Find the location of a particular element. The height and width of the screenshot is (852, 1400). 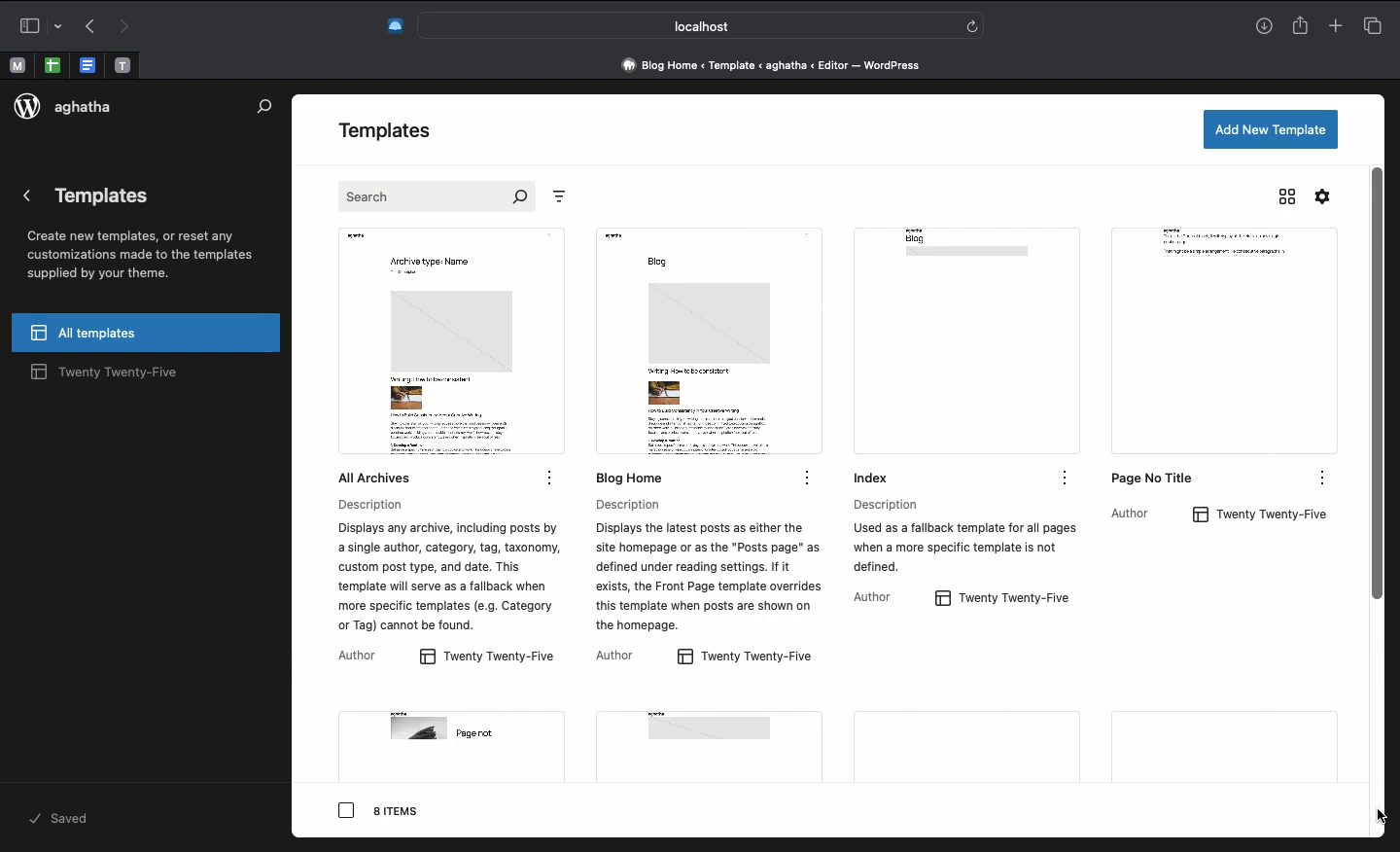

Templates is located at coordinates (393, 133).